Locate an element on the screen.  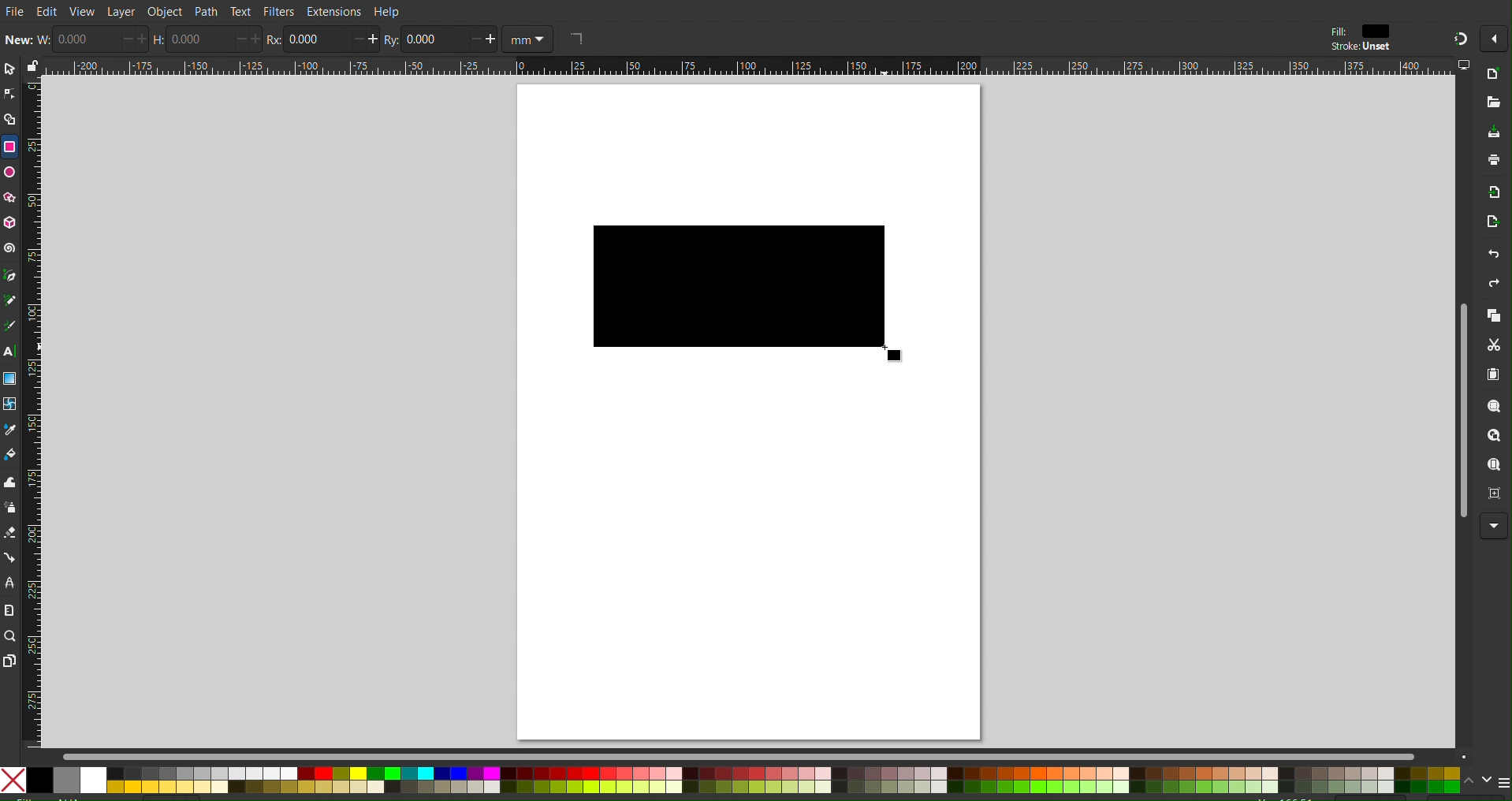
stroke: is located at coordinates (1357, 47).